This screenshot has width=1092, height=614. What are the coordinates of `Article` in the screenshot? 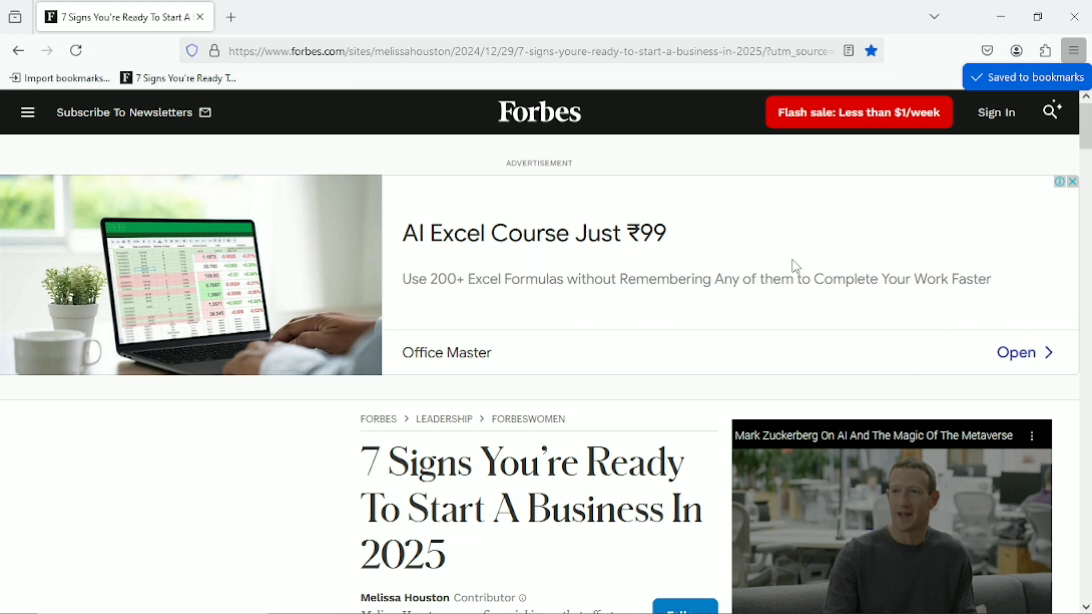 It's located at (653, 507).